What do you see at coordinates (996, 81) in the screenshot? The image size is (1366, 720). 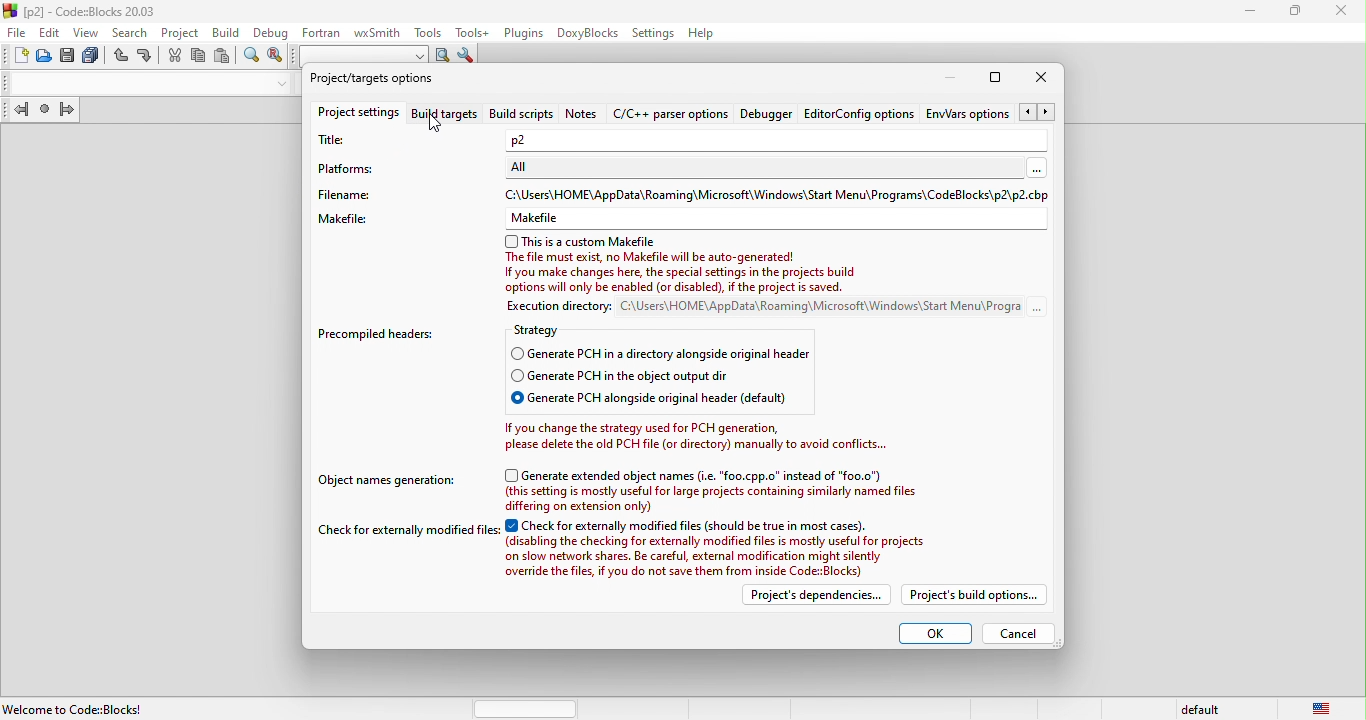 I see `maximize` at bounding box center [996, 81].